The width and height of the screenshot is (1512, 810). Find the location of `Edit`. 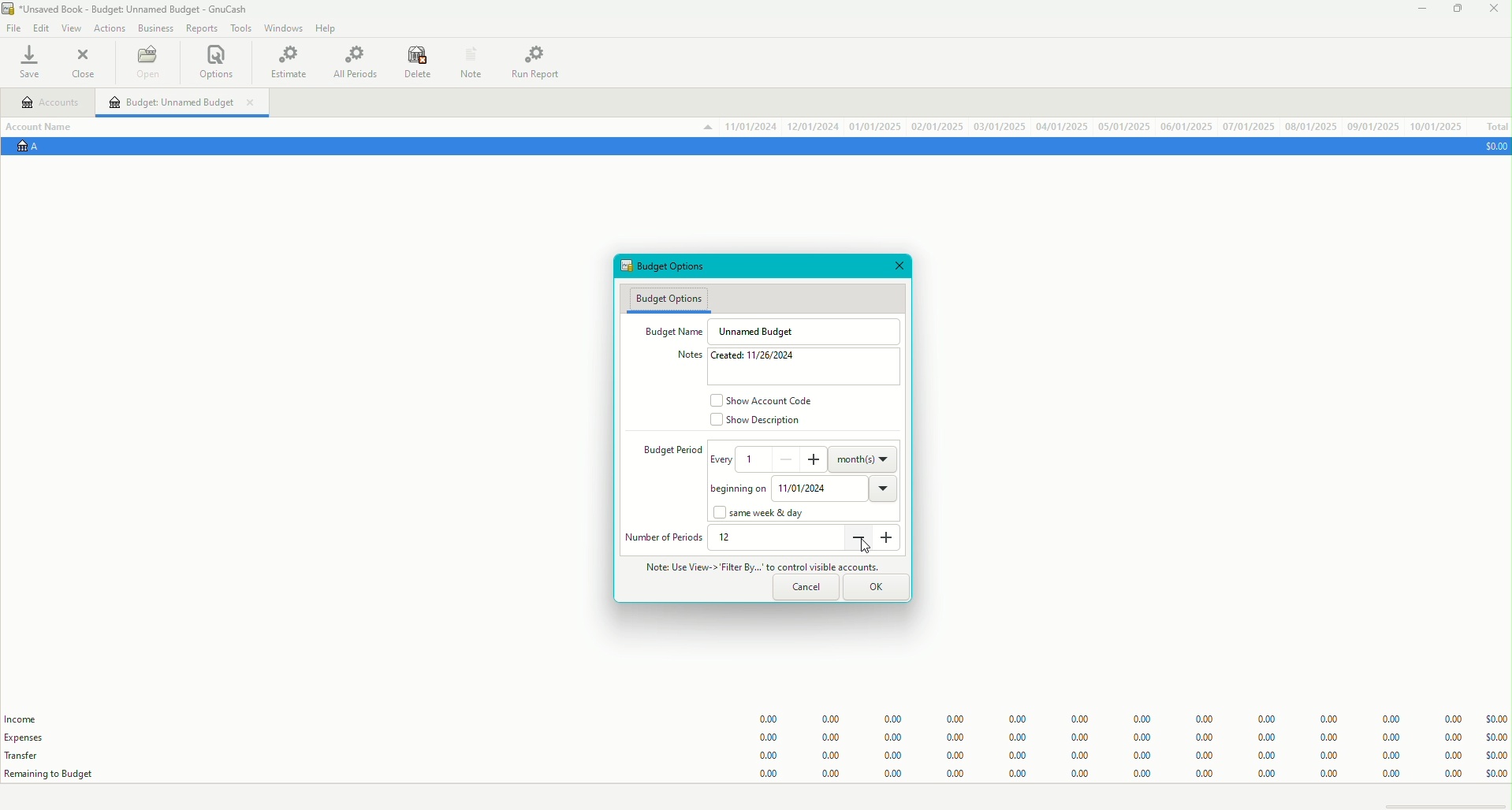

Edit is located at coordinates (41, 28).